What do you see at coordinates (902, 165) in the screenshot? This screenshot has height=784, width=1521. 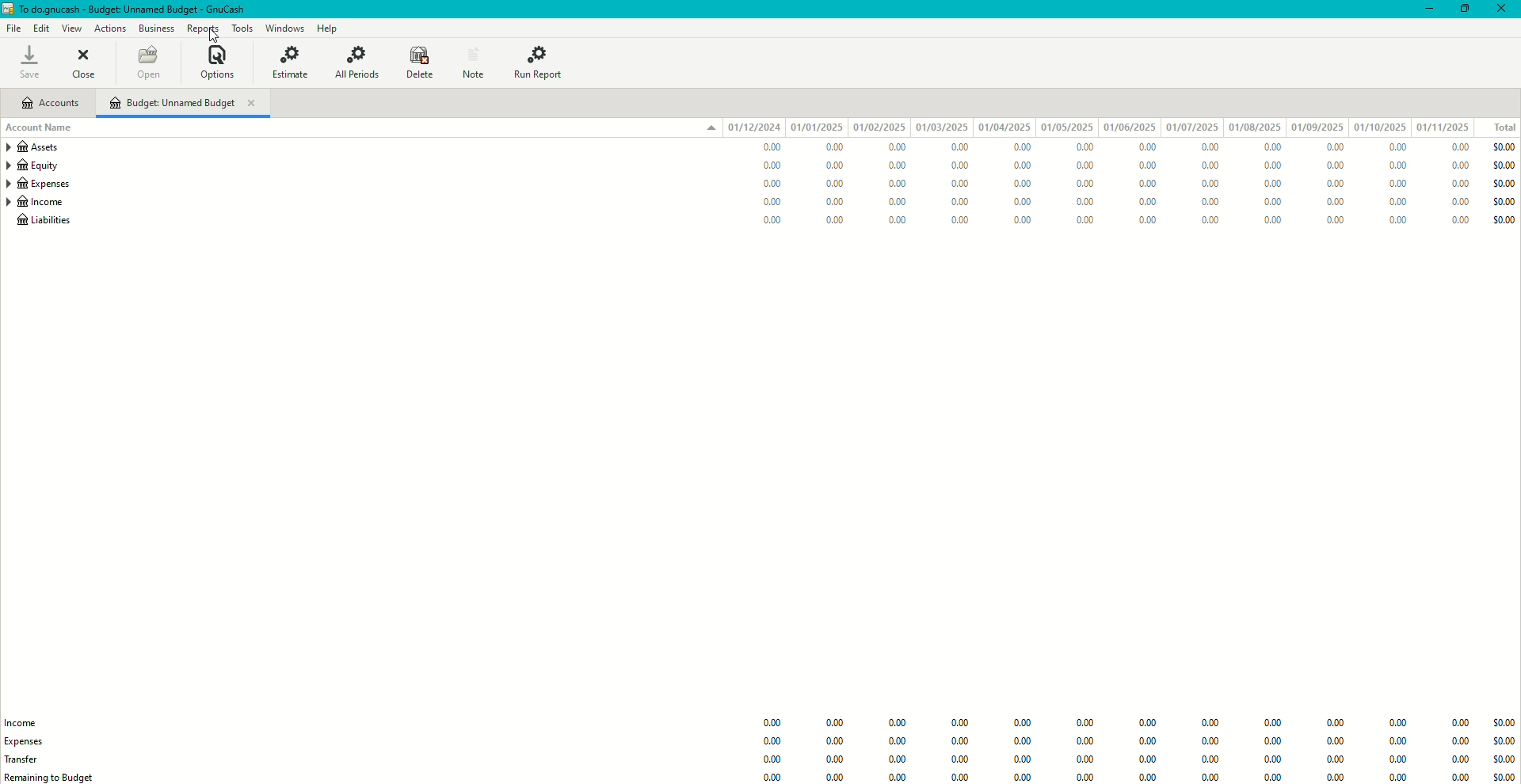 I see `0.00` at bounding box center [902, 165].